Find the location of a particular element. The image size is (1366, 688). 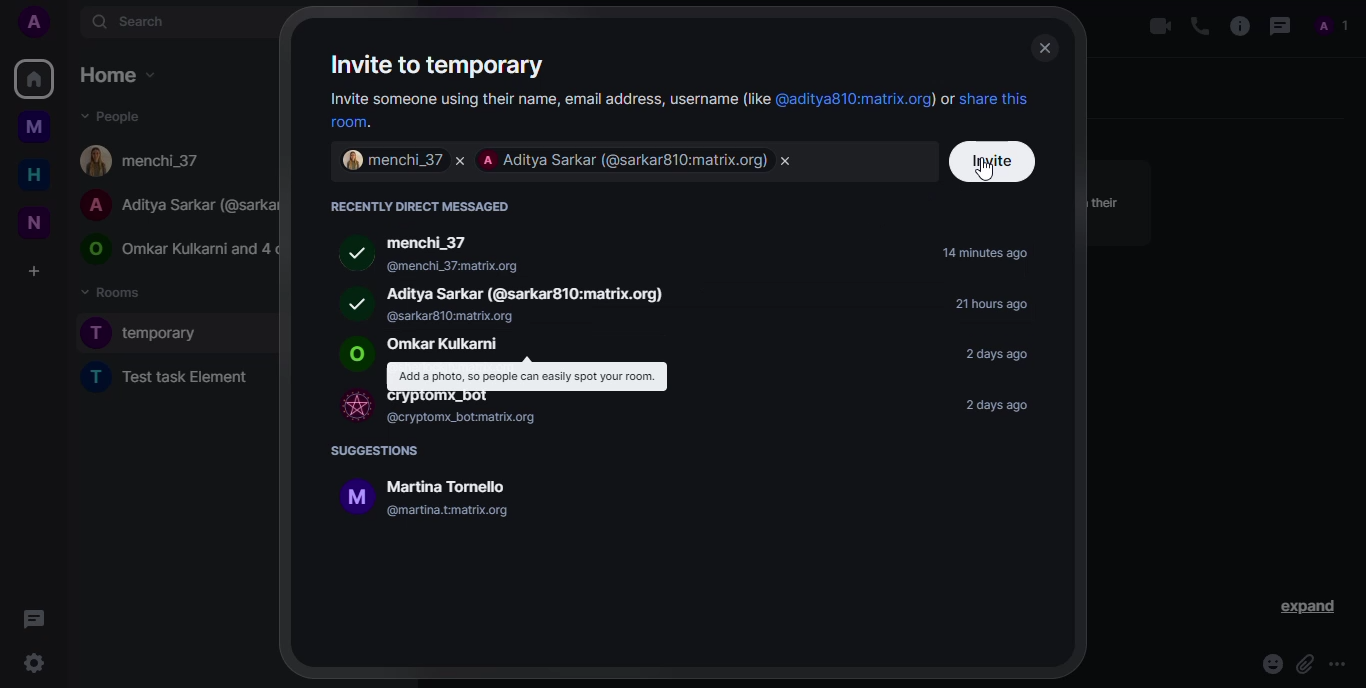

info is located at coordinates (1236, 27).